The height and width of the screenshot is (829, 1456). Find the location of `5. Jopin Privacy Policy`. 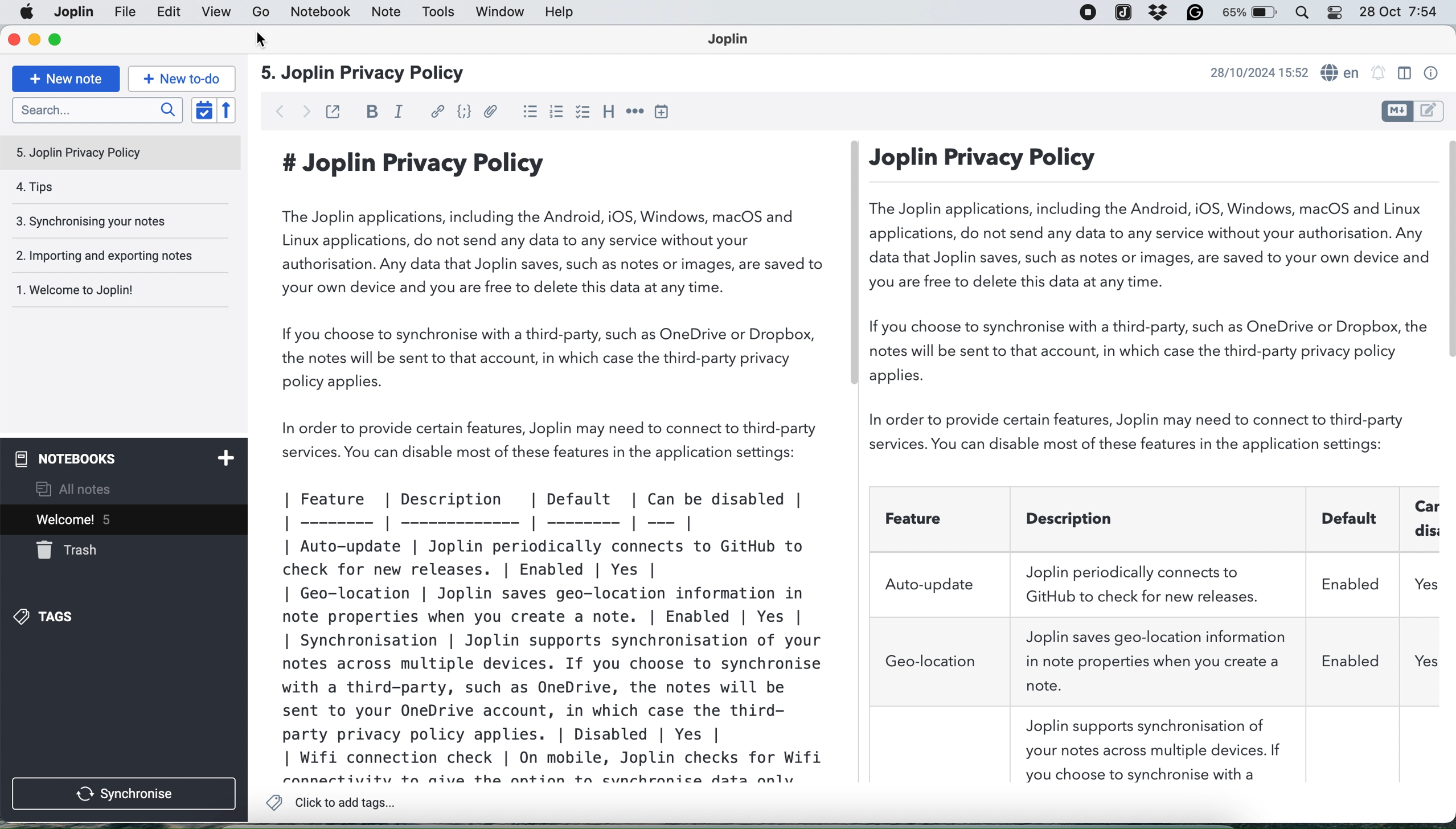

5. Jopin Privacy Policy is located at coordinates (117, 151).